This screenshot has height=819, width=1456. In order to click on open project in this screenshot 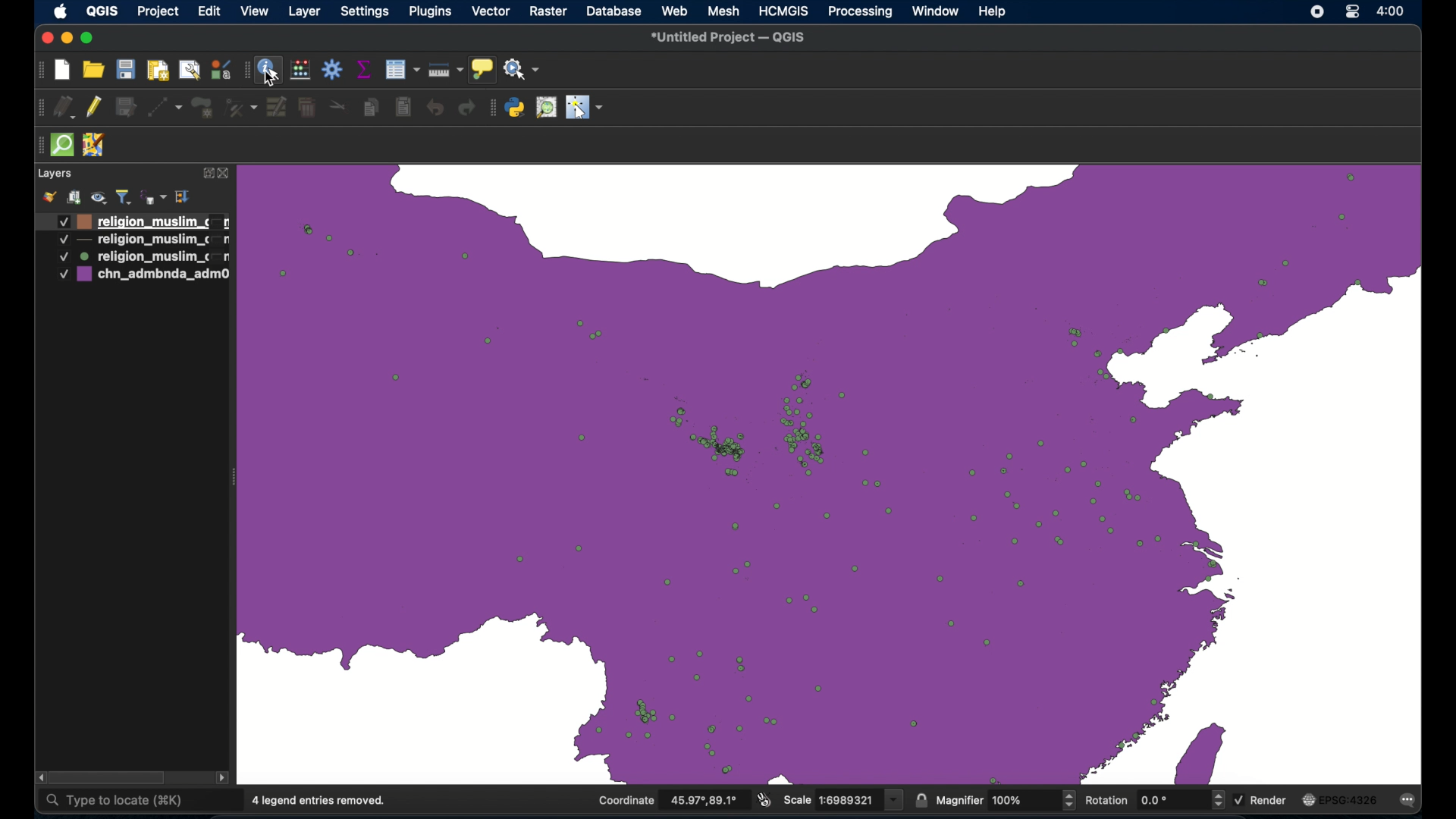, I will do `click(93, 69)`.